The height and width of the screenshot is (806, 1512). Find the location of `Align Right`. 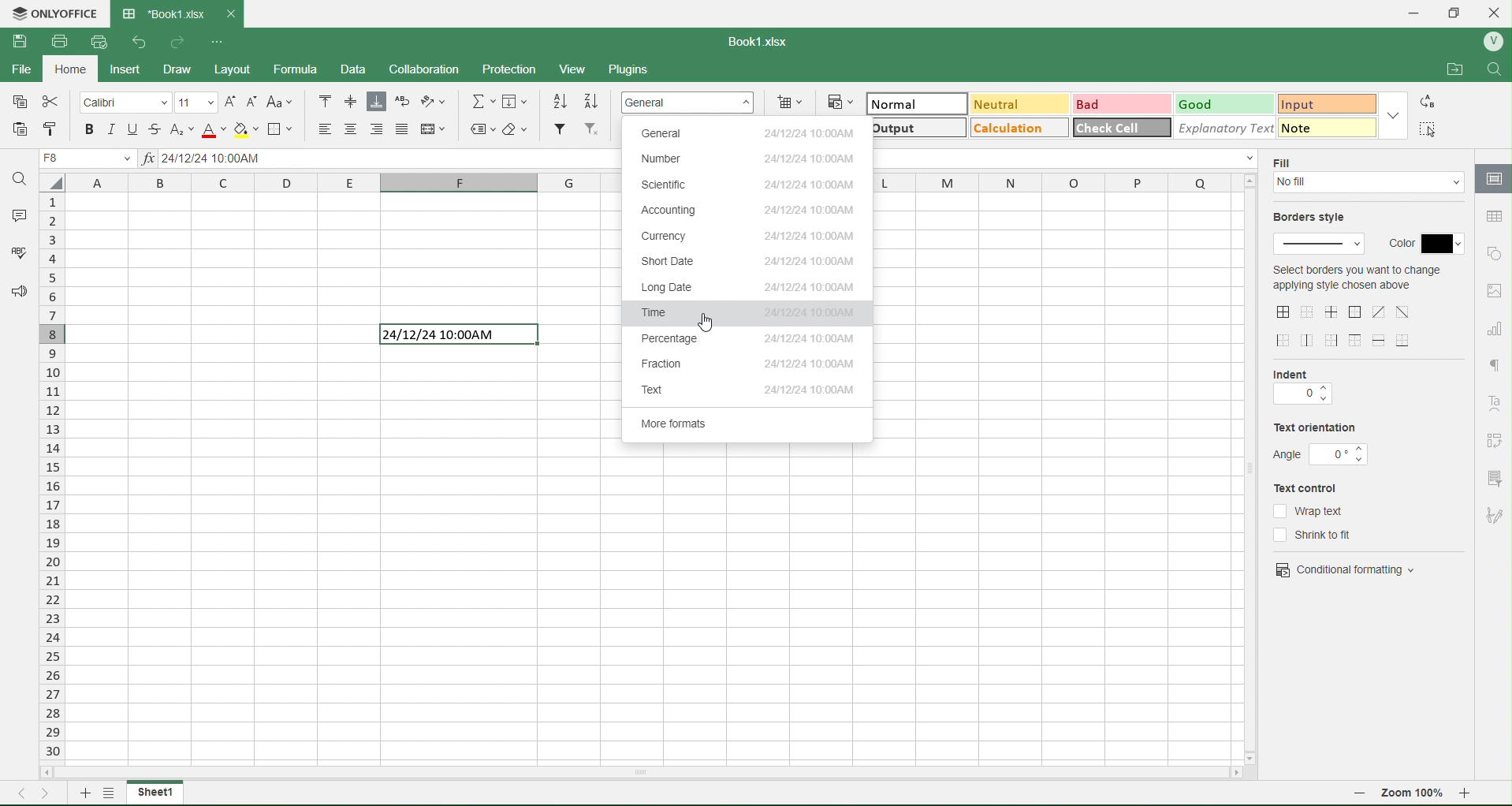

Align Right is located at coordinates (378, 129).